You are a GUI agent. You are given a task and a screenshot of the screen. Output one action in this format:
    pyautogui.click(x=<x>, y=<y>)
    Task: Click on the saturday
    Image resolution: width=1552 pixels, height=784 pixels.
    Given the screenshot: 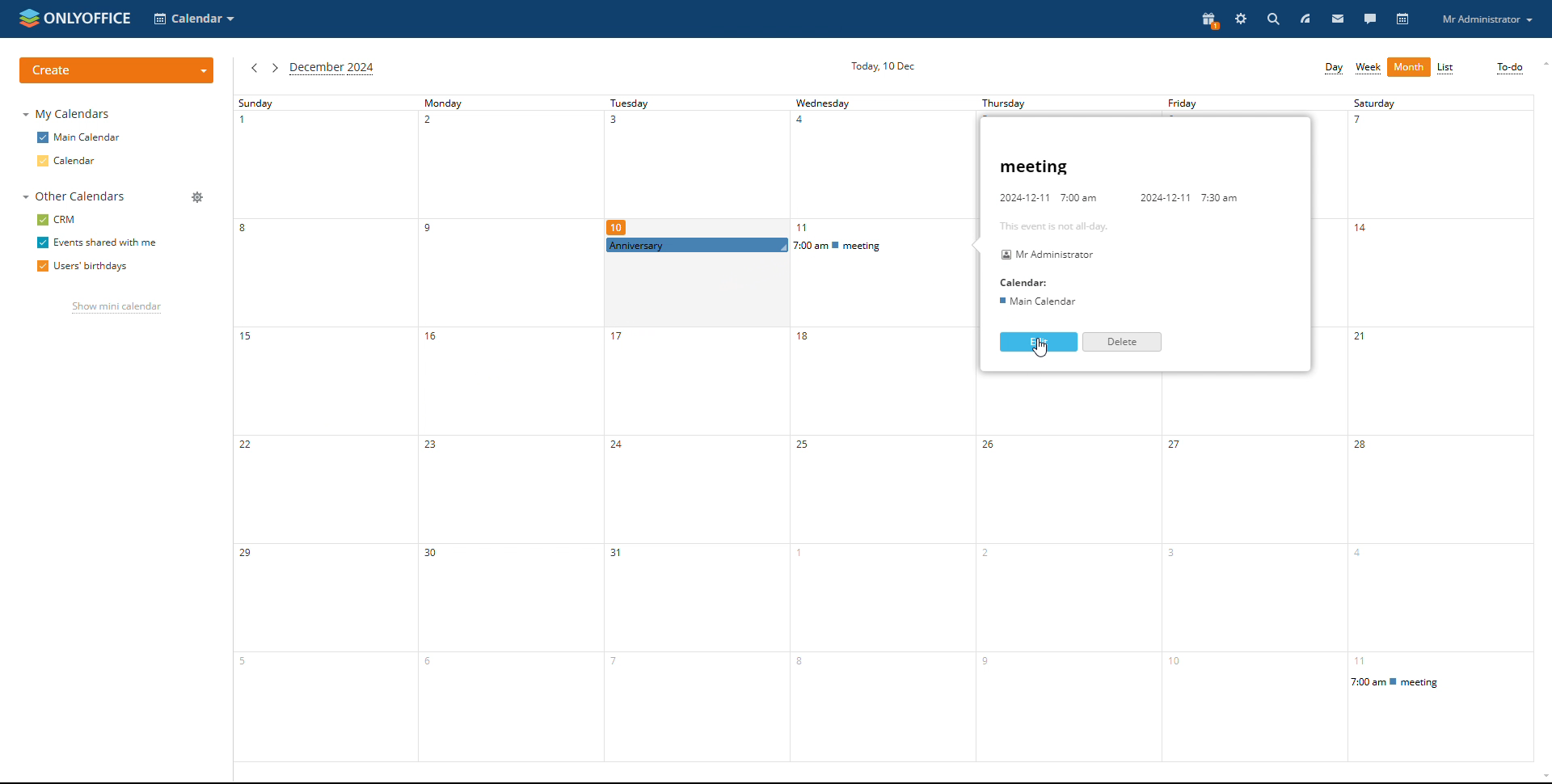 What is the action you would take?
    pyautogui.click(x=1444, y=425)
    